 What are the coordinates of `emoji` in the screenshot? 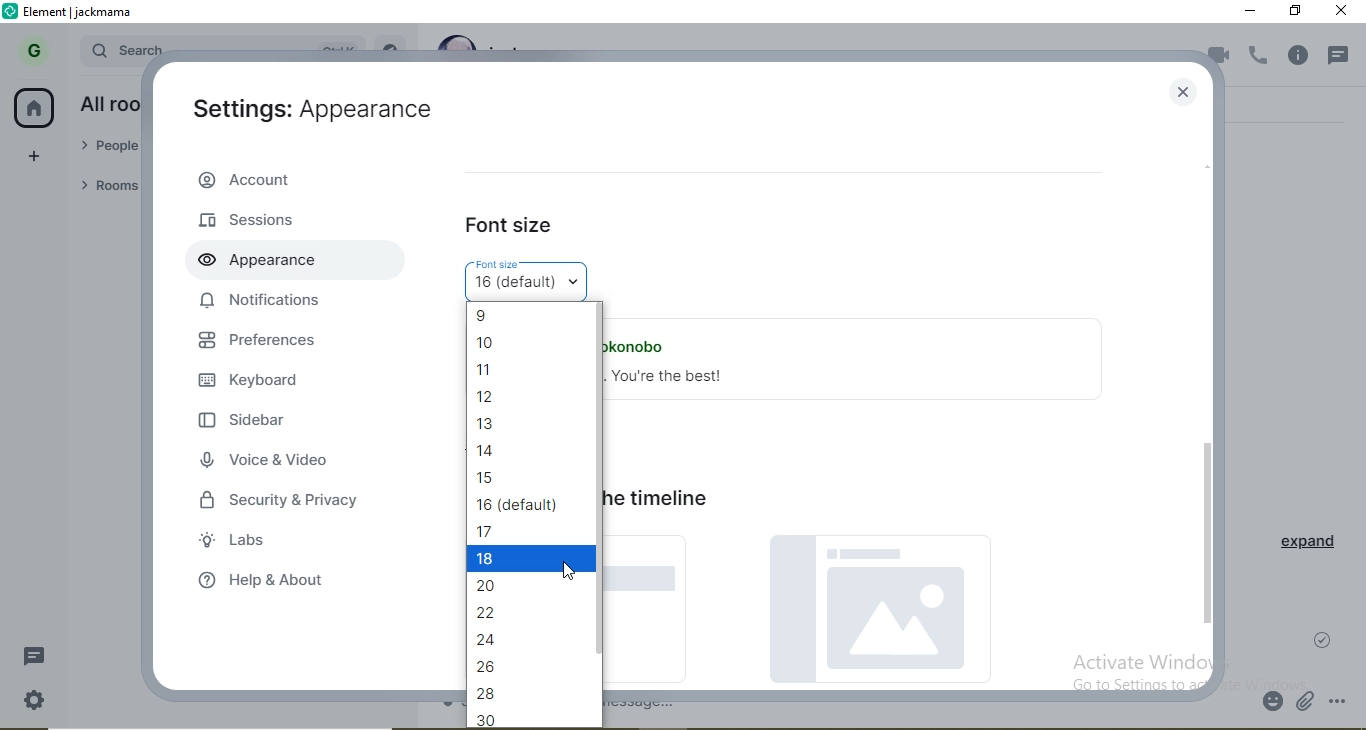 It's located at (1274, 703).